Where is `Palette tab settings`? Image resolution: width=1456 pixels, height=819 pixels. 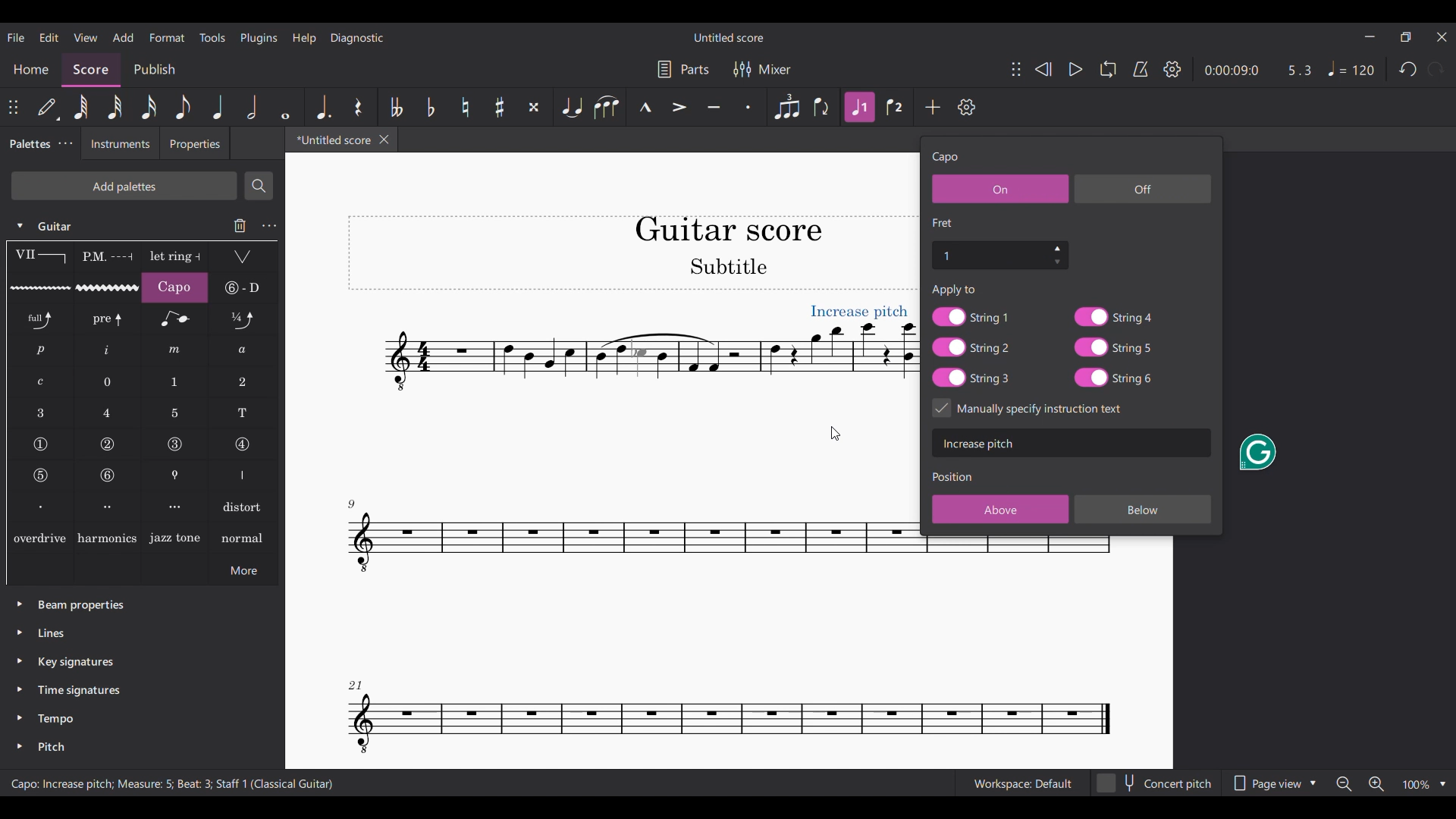 Palette tab settings is located at coordinates (67, 143).